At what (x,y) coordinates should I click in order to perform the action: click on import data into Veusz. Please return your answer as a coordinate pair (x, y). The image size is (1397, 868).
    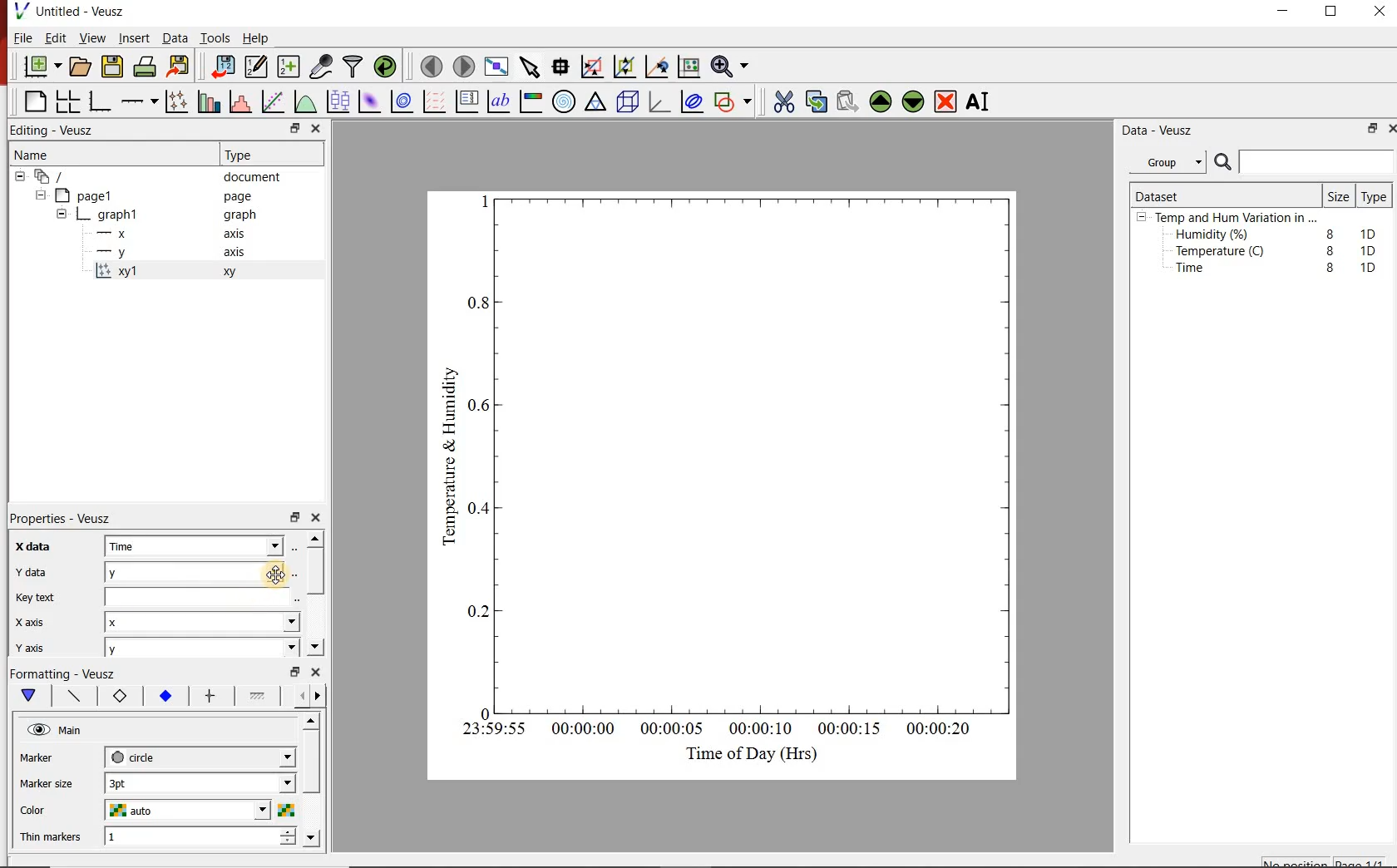
    Looking at the image, I should click on (222, 65).